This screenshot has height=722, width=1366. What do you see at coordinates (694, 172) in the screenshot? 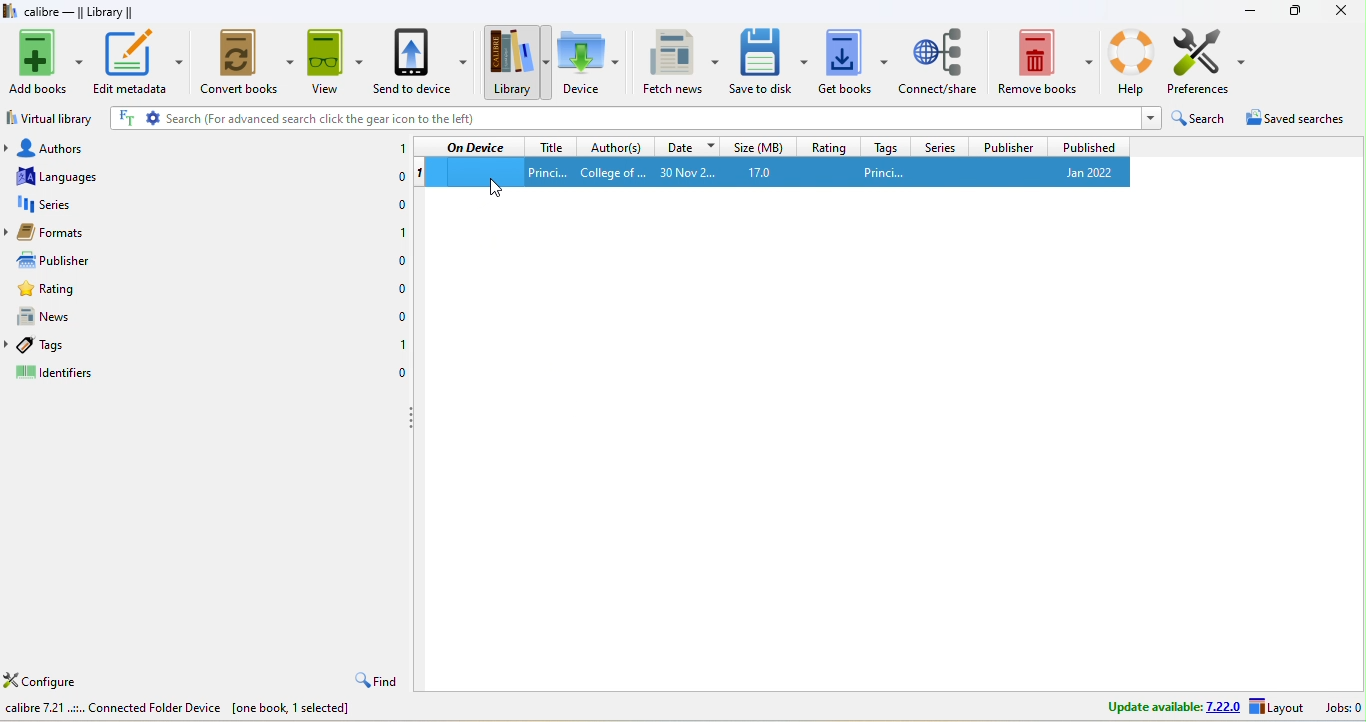
I see `30 nov 2` at bounding box center [694, 172].